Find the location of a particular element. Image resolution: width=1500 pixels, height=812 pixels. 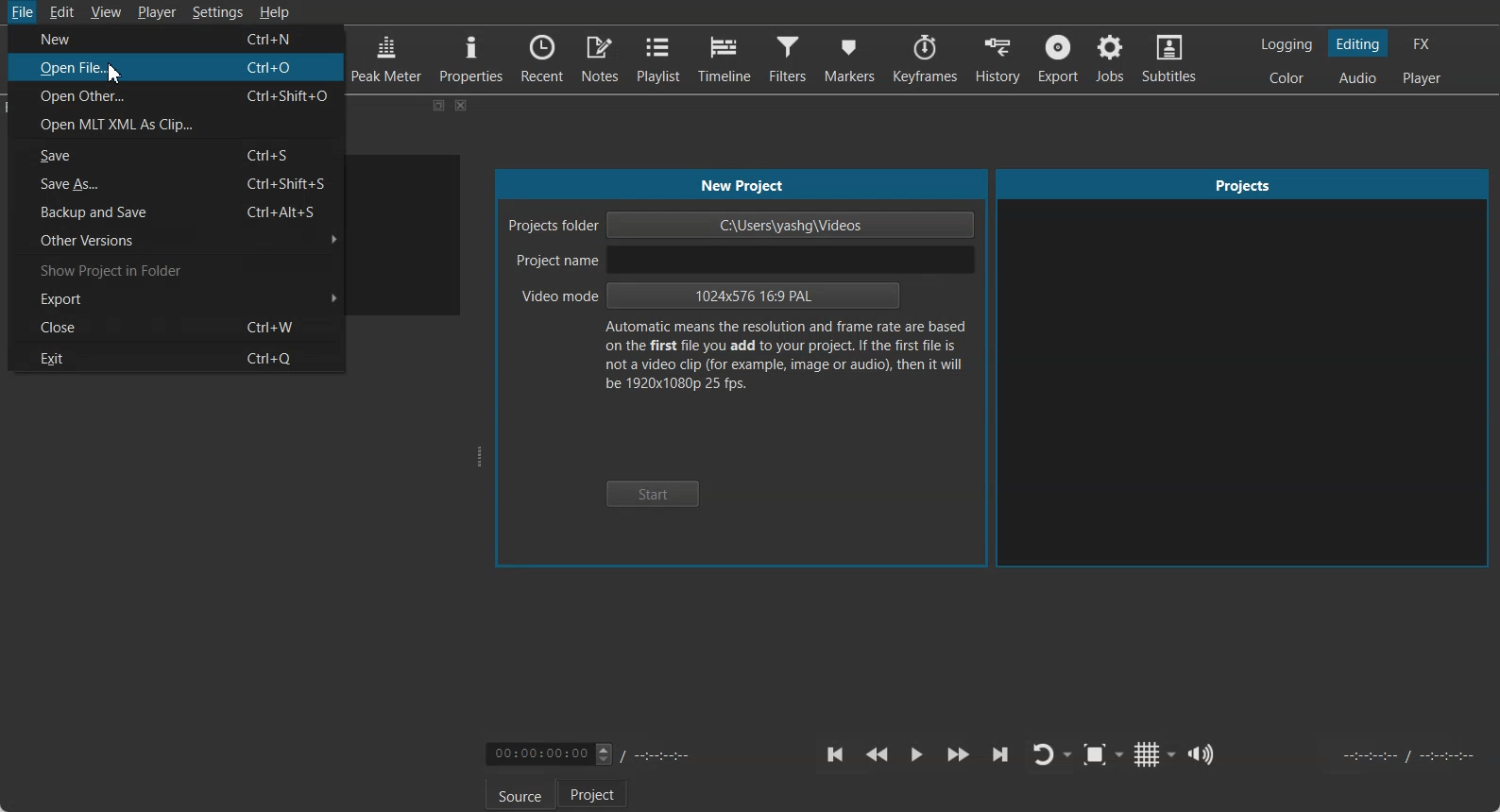

Skip to the next point is located at coordinates (999, 754).